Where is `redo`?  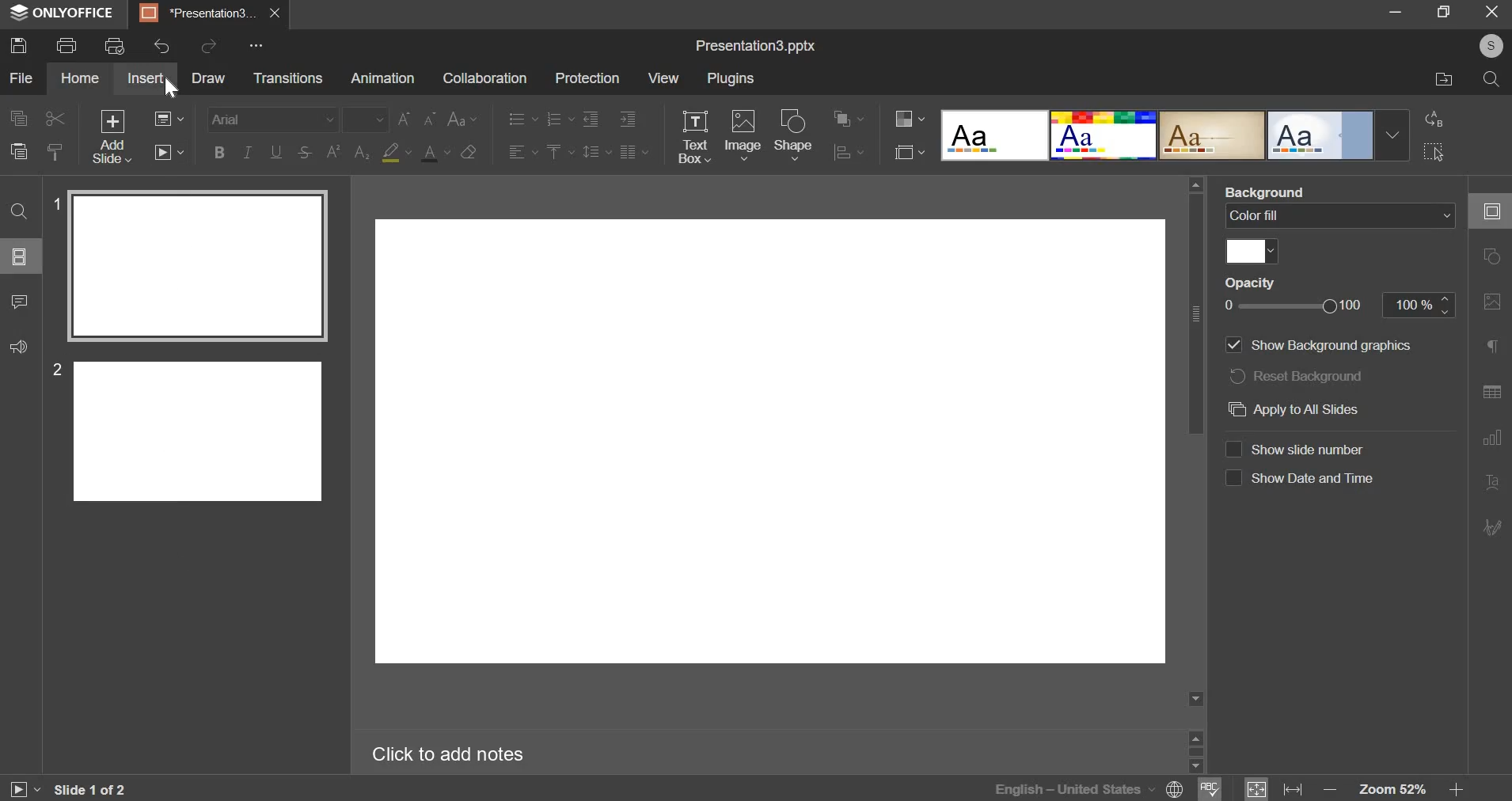 redo is located at coordinates (211, 44).